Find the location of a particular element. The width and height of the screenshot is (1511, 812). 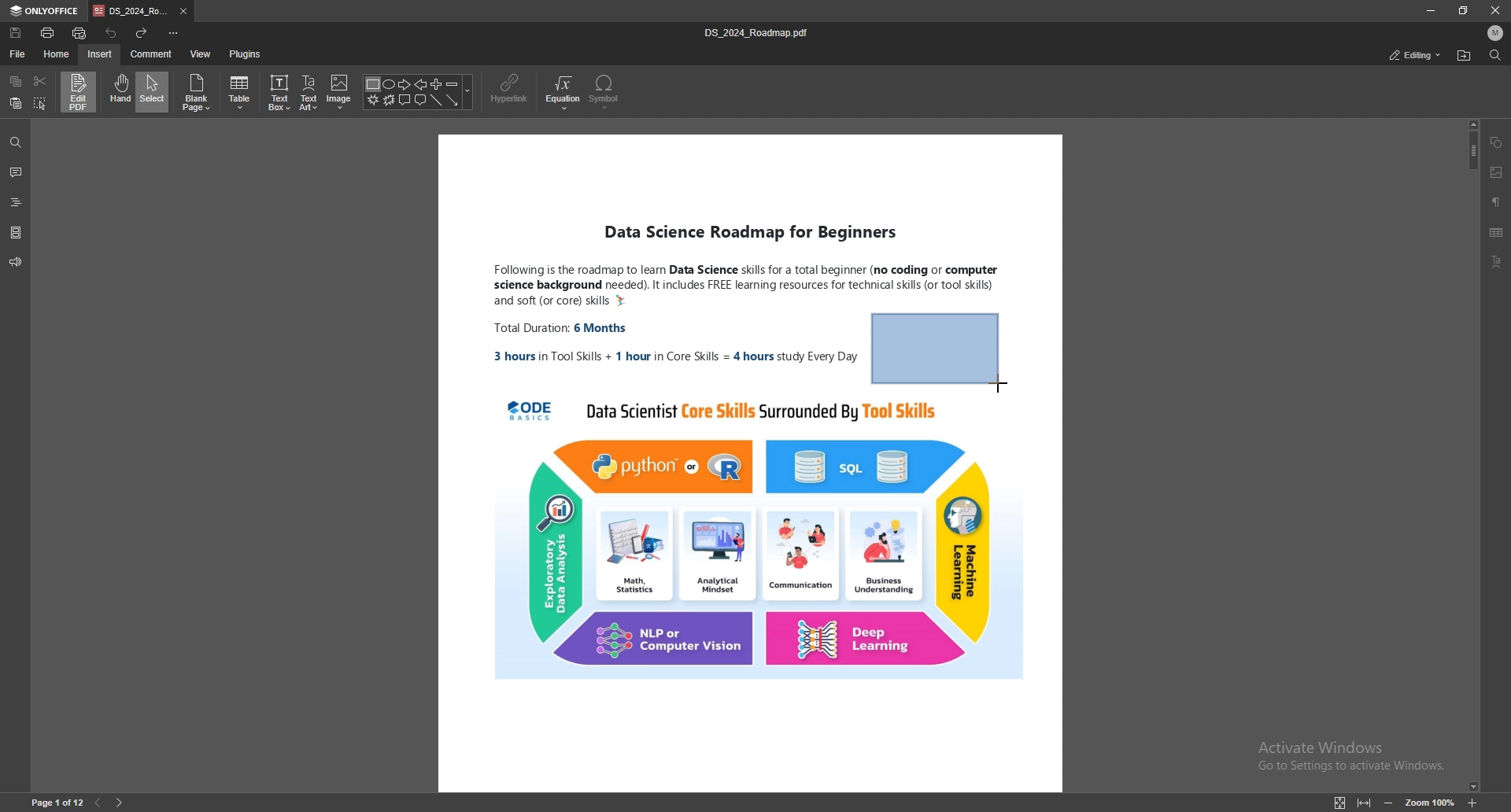

view is located at coordinates (201, 54).